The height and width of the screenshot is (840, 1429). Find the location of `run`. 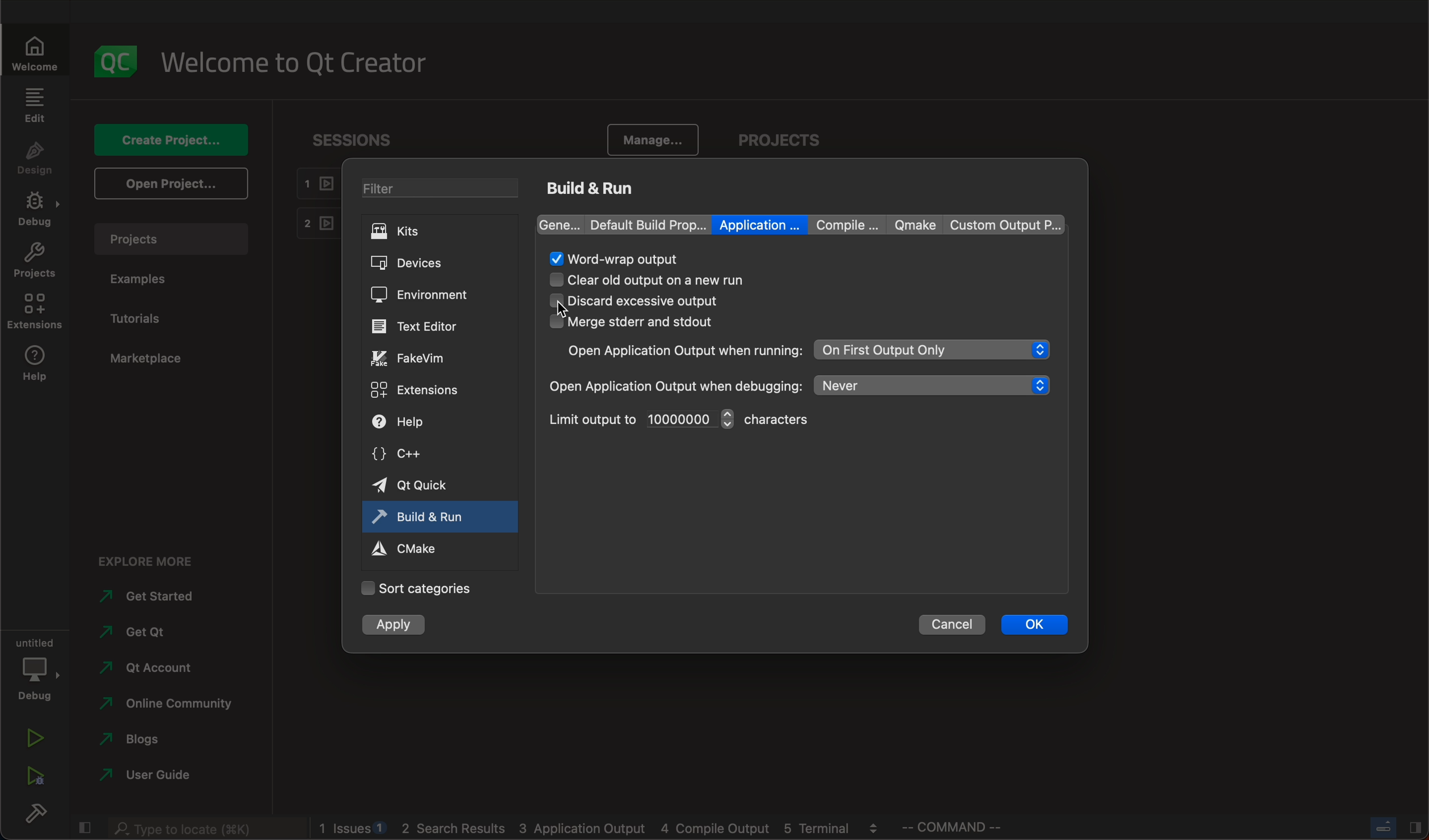

run is located at coordinates (32, 738).